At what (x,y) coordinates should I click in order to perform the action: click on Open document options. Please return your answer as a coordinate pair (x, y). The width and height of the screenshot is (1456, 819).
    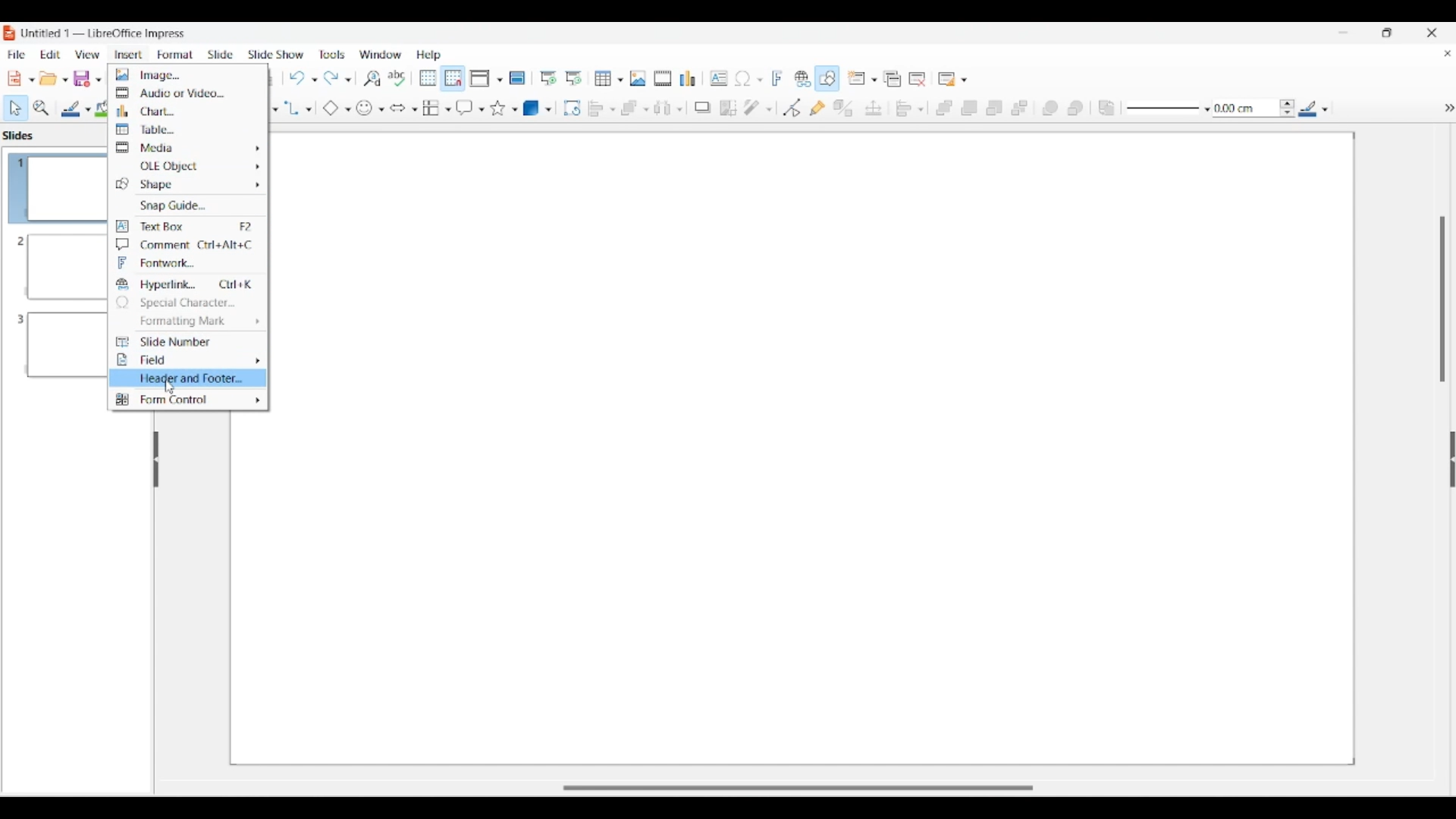
    Looking at the image, I should click on (53, 78).